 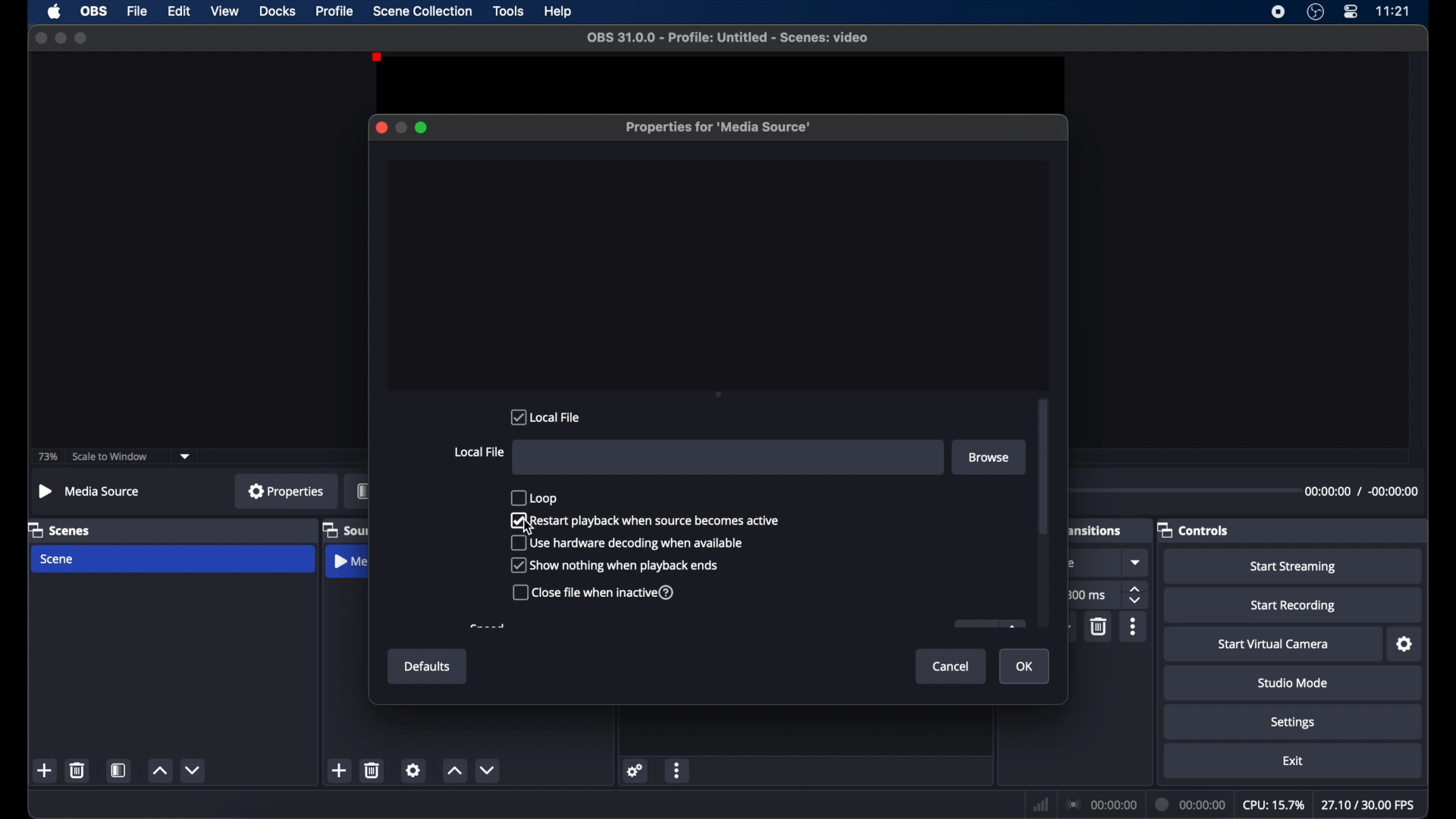 What do you see at coordinates (1194, 529) in the screenshot?
I see `controls` at bounding box center [1194, 529].